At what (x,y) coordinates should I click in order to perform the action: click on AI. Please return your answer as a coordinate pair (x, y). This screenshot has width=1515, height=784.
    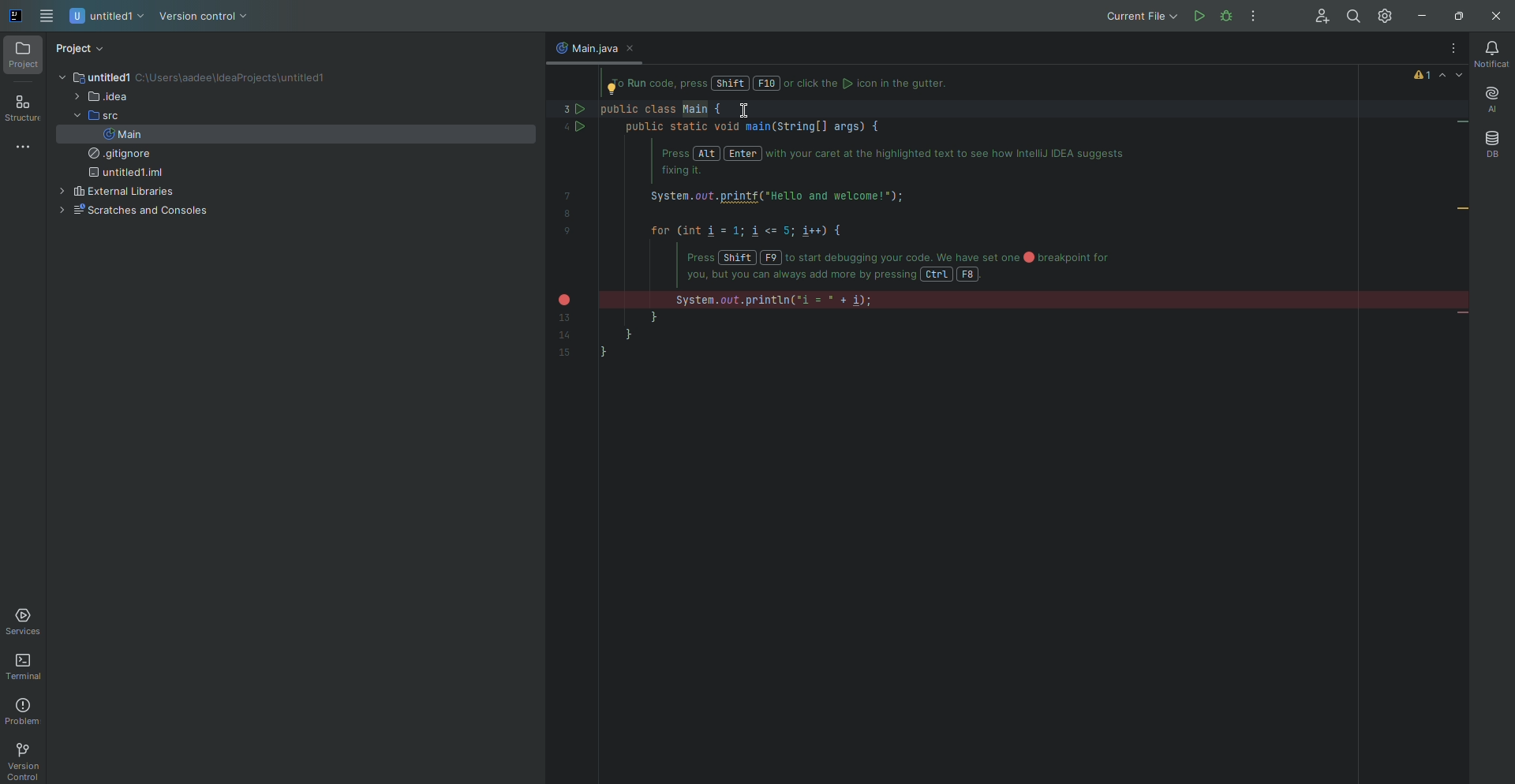
    Looking at the image, I should click on (1490, 100).